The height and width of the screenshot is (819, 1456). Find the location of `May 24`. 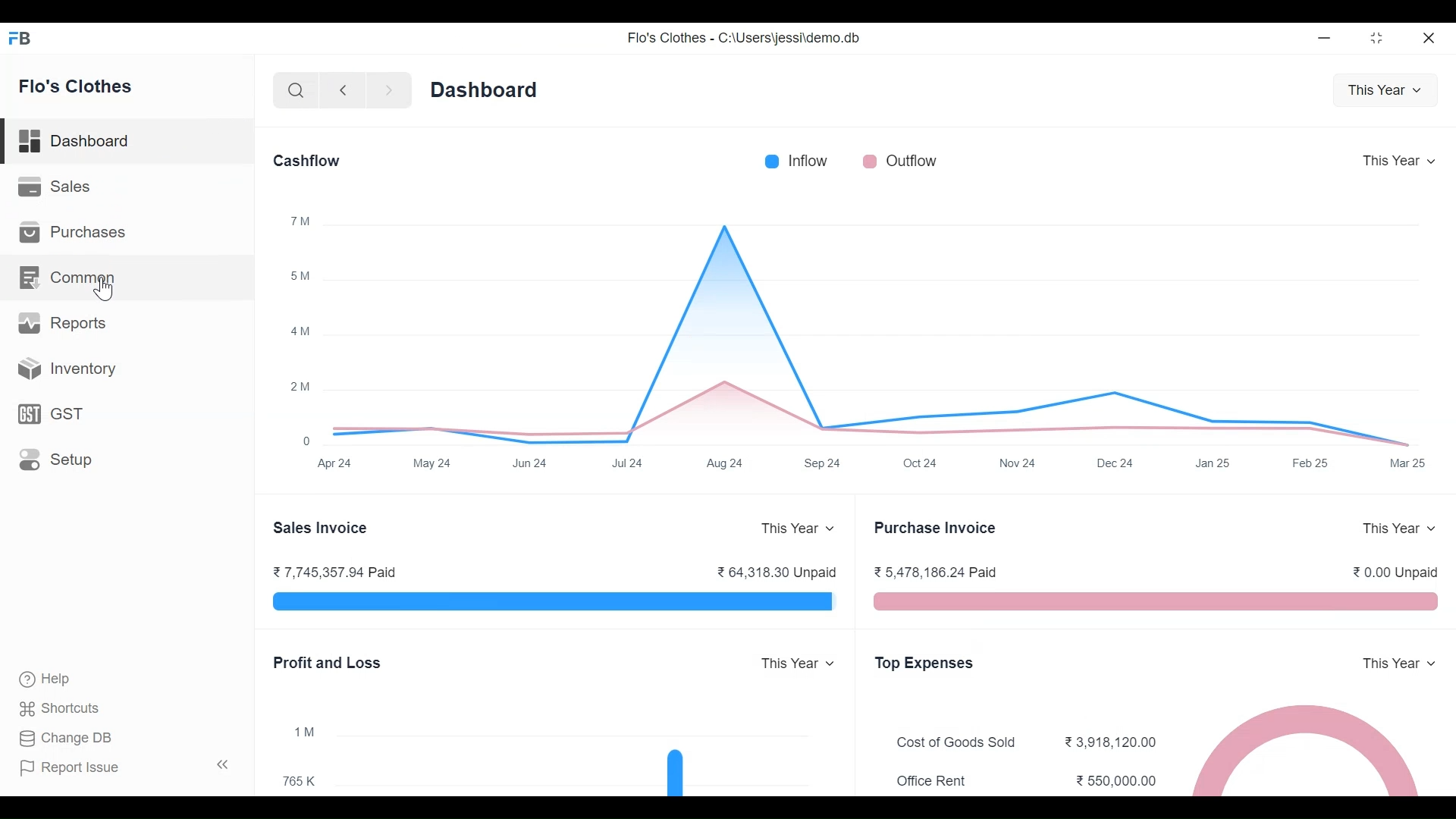

May 24 is located at coordinates (433, 463).